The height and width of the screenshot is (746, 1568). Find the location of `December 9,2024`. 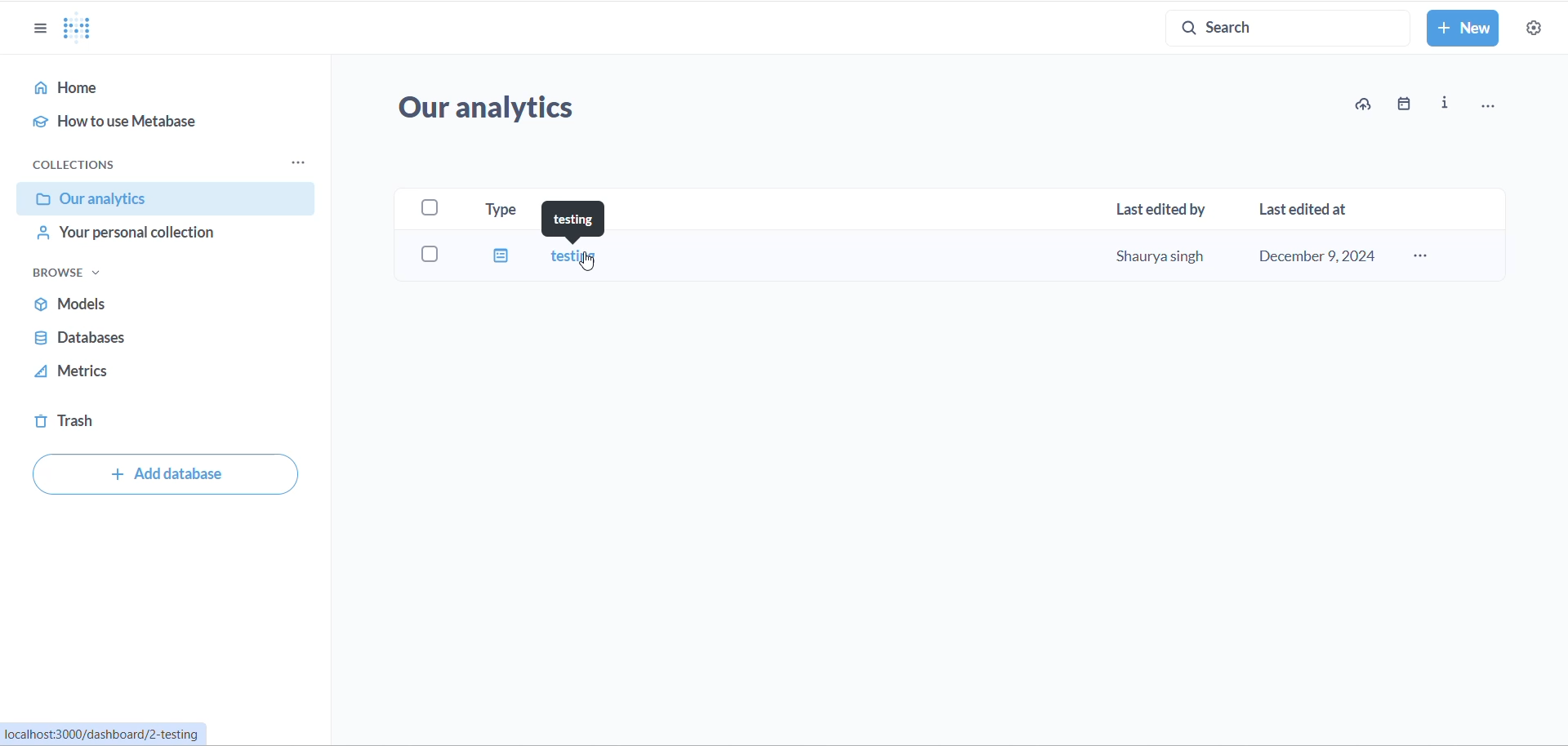

December 9,2024 is located at coordinates (1321, 257).